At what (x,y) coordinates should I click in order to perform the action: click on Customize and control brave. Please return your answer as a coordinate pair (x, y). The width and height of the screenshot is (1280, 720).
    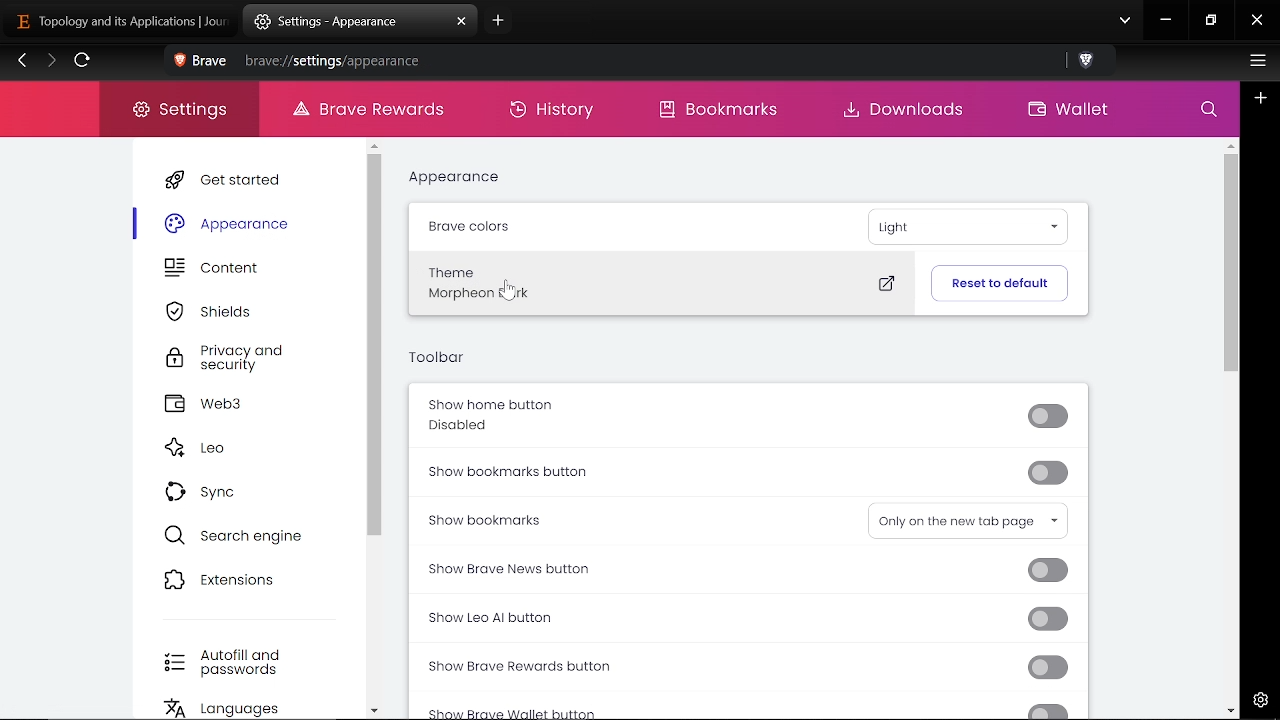
    Looking at the image, I should click on (1255, 63).